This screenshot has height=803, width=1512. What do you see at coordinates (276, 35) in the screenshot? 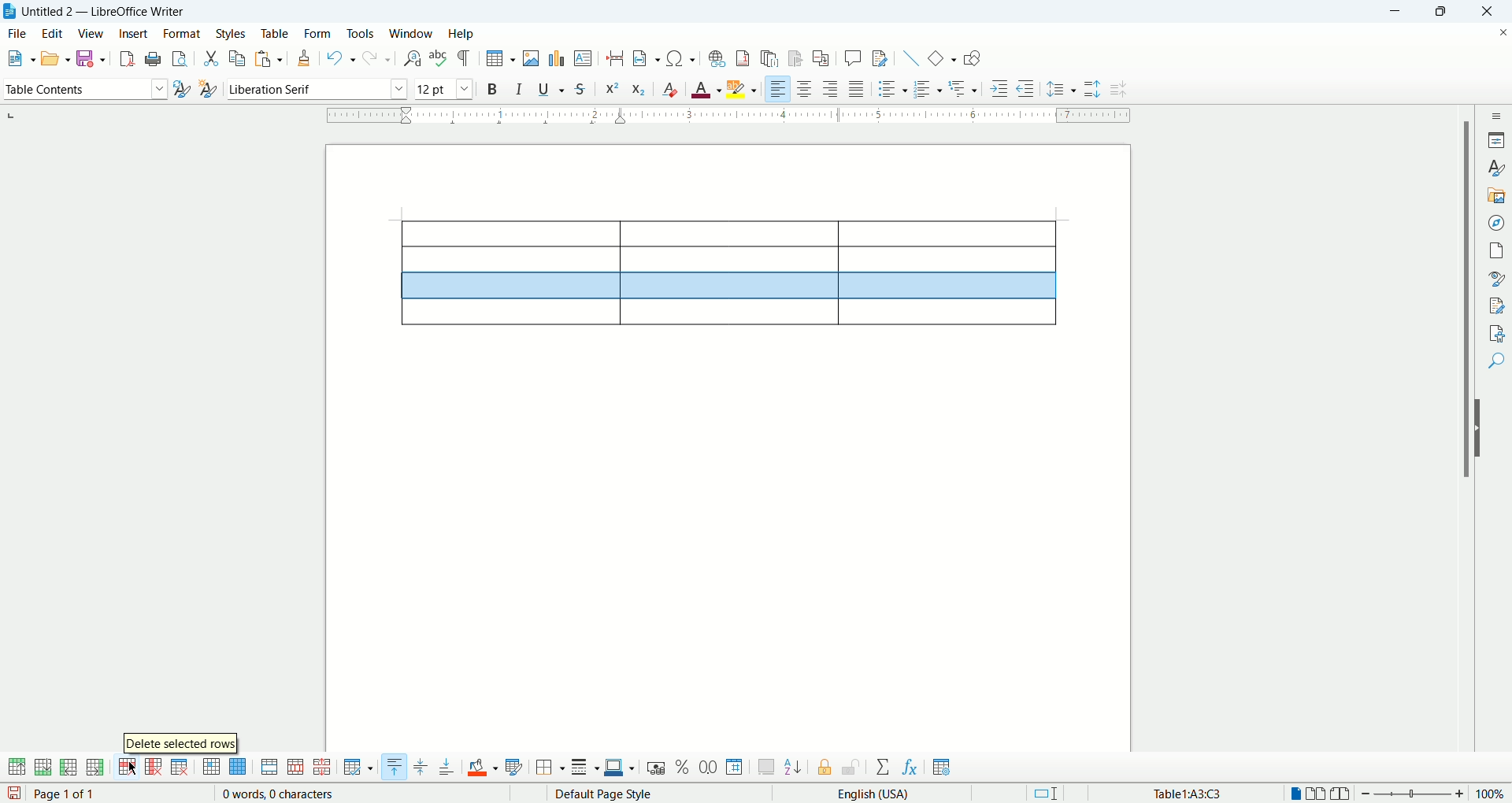
I see `table` at bounding box center [276, 35].